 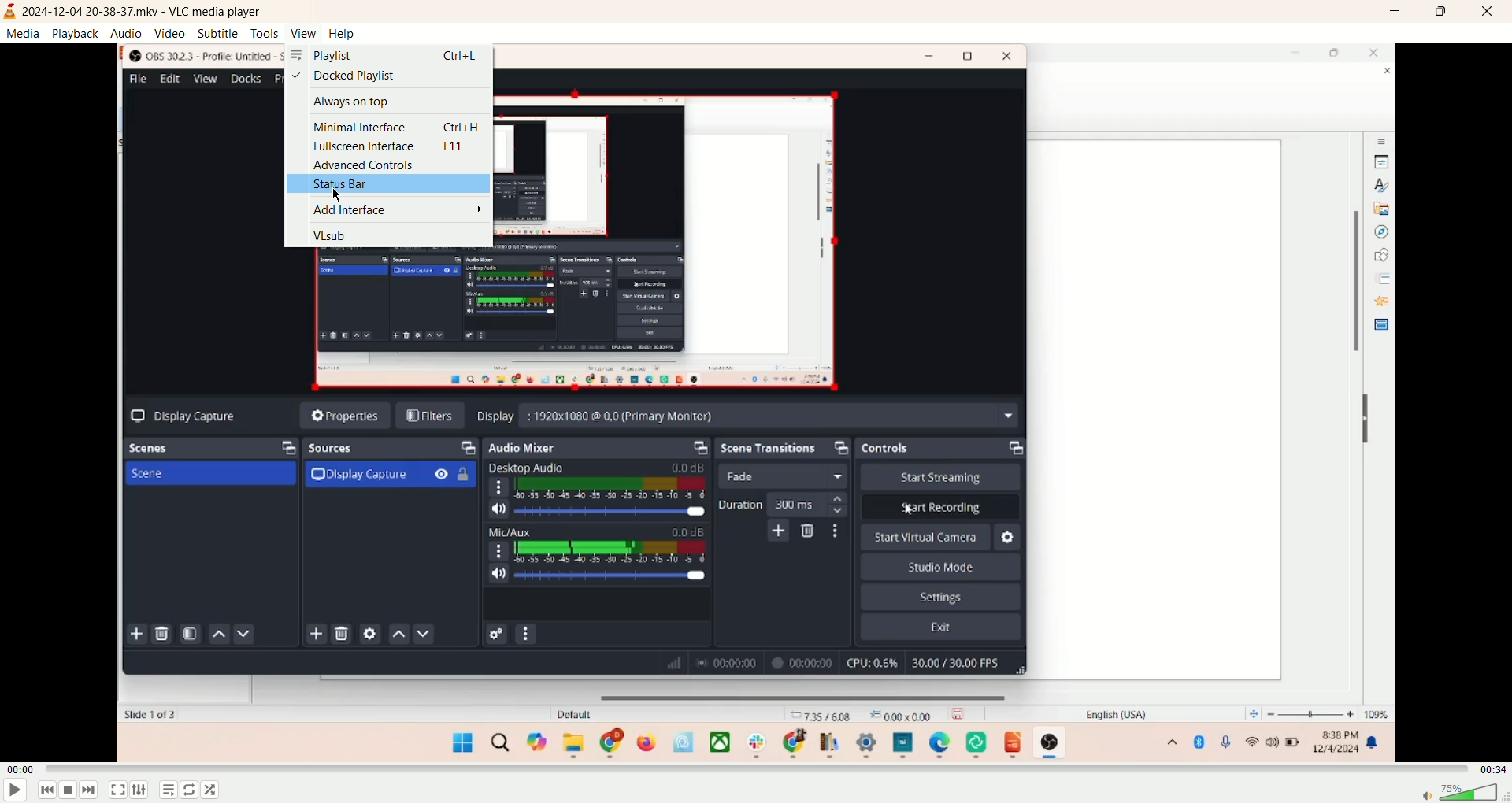 I want to click on audio, so click(x=128, y=32).